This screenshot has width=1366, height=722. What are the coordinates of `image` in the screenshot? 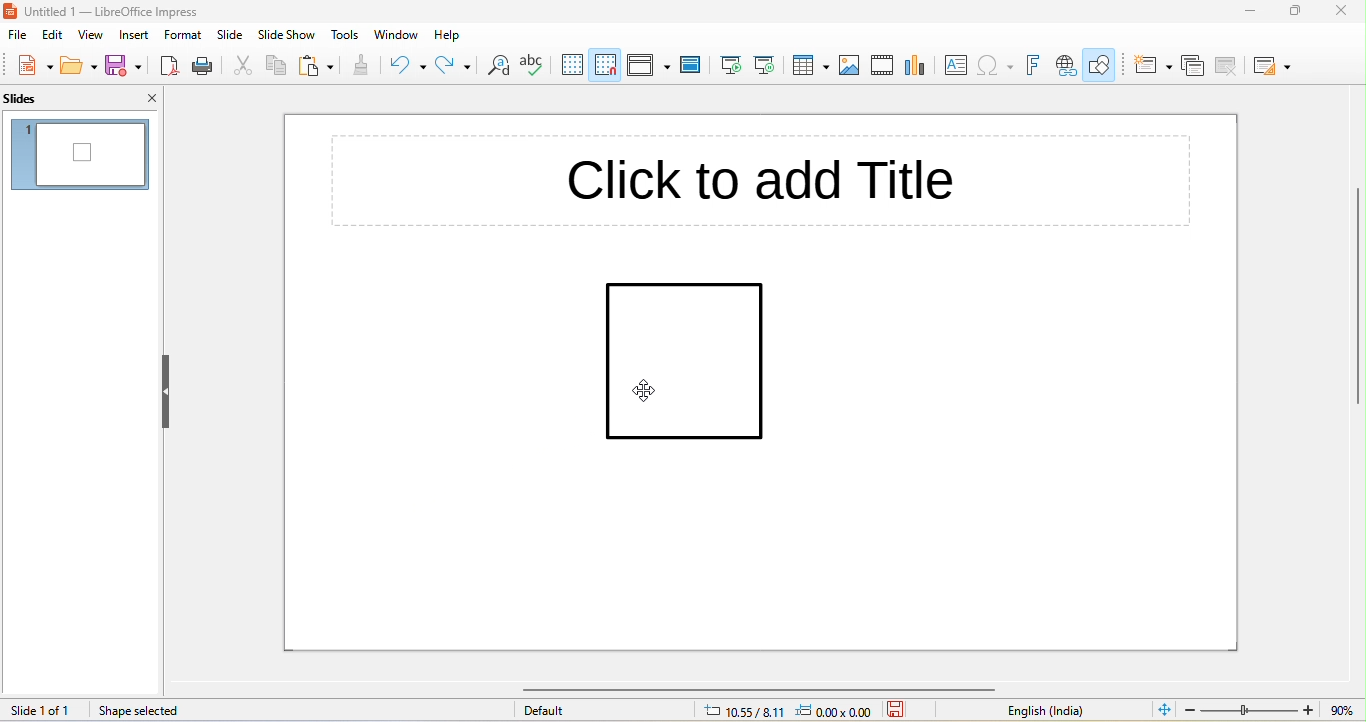 It's located at (850, 66).